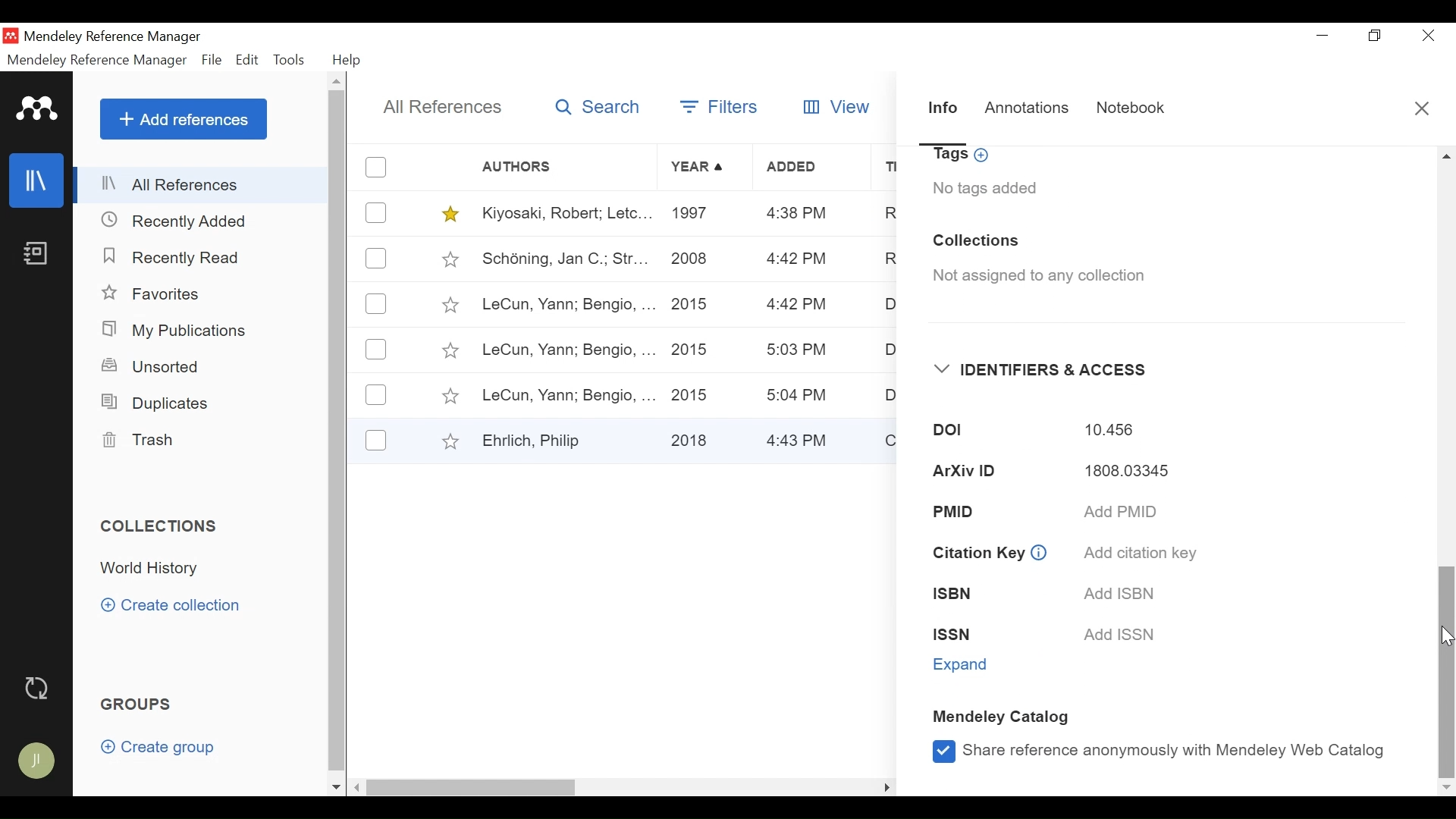 Image resolution: width=1456 pixels, height=819 pixels. I want to click on Edit, so click(246, 61).